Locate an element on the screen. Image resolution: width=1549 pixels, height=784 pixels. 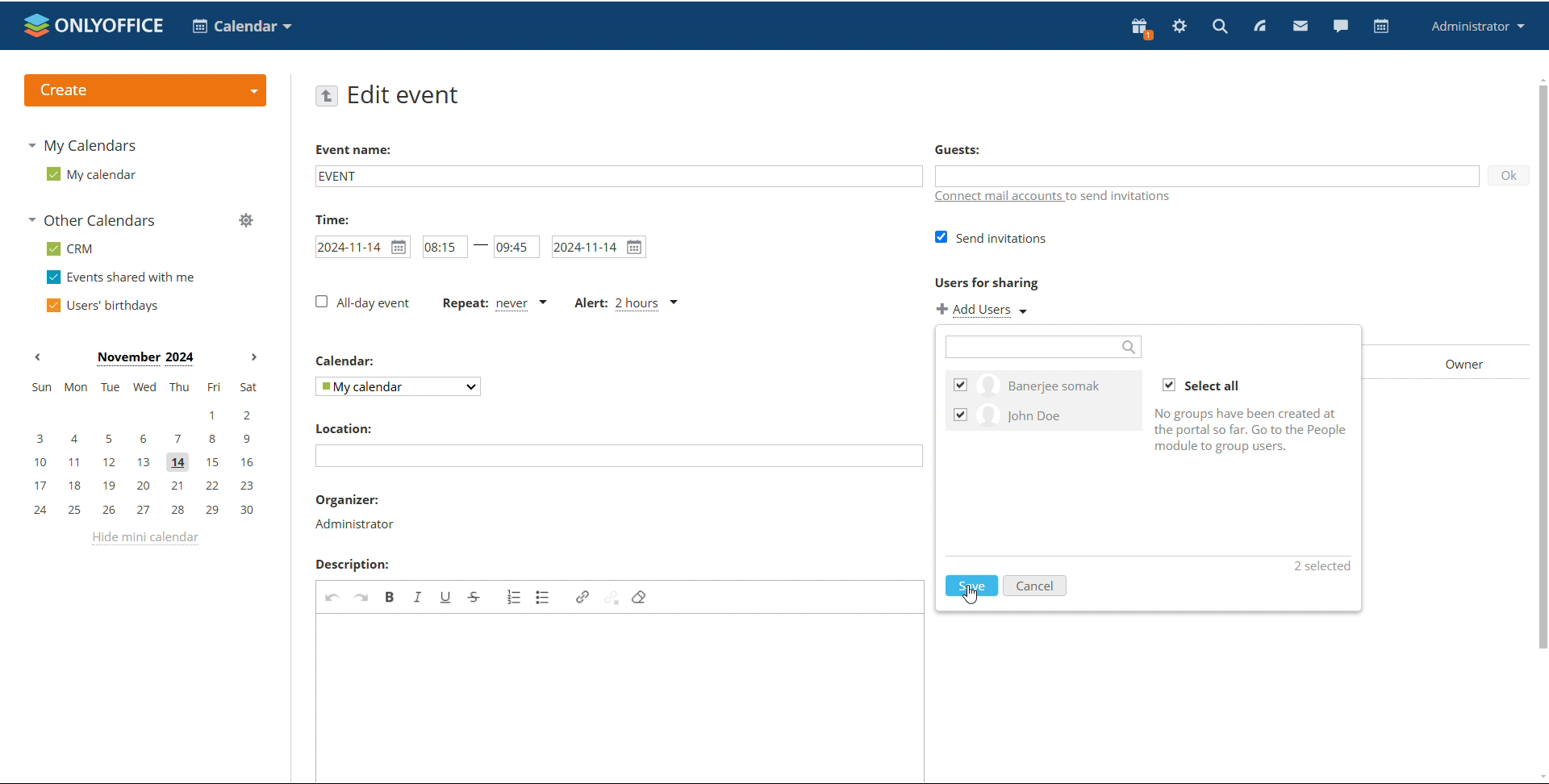
17, 18, 19, 20, 21, 22, 23 is located at coordinates (144, 486).